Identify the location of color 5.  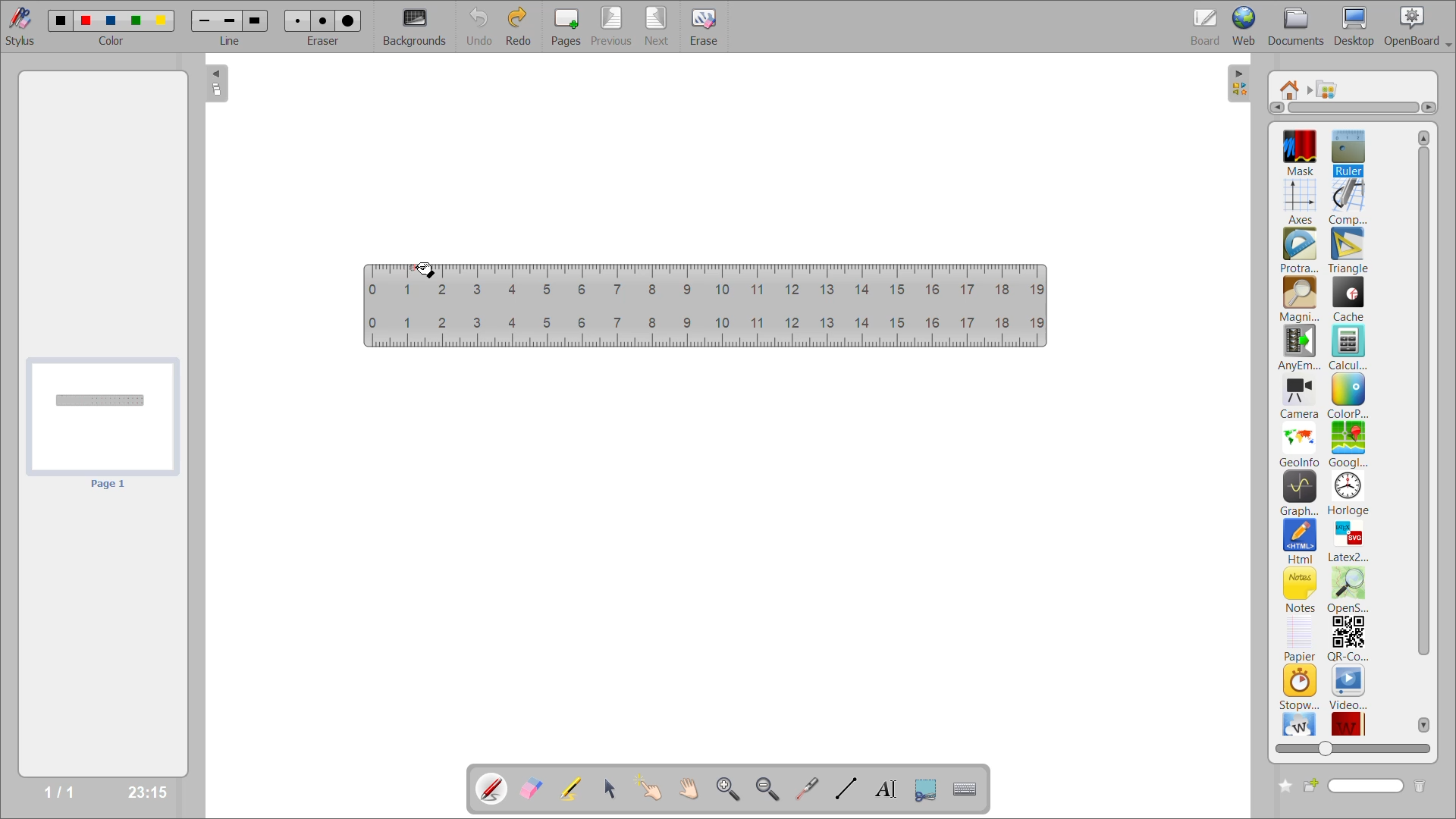
(159, 20).